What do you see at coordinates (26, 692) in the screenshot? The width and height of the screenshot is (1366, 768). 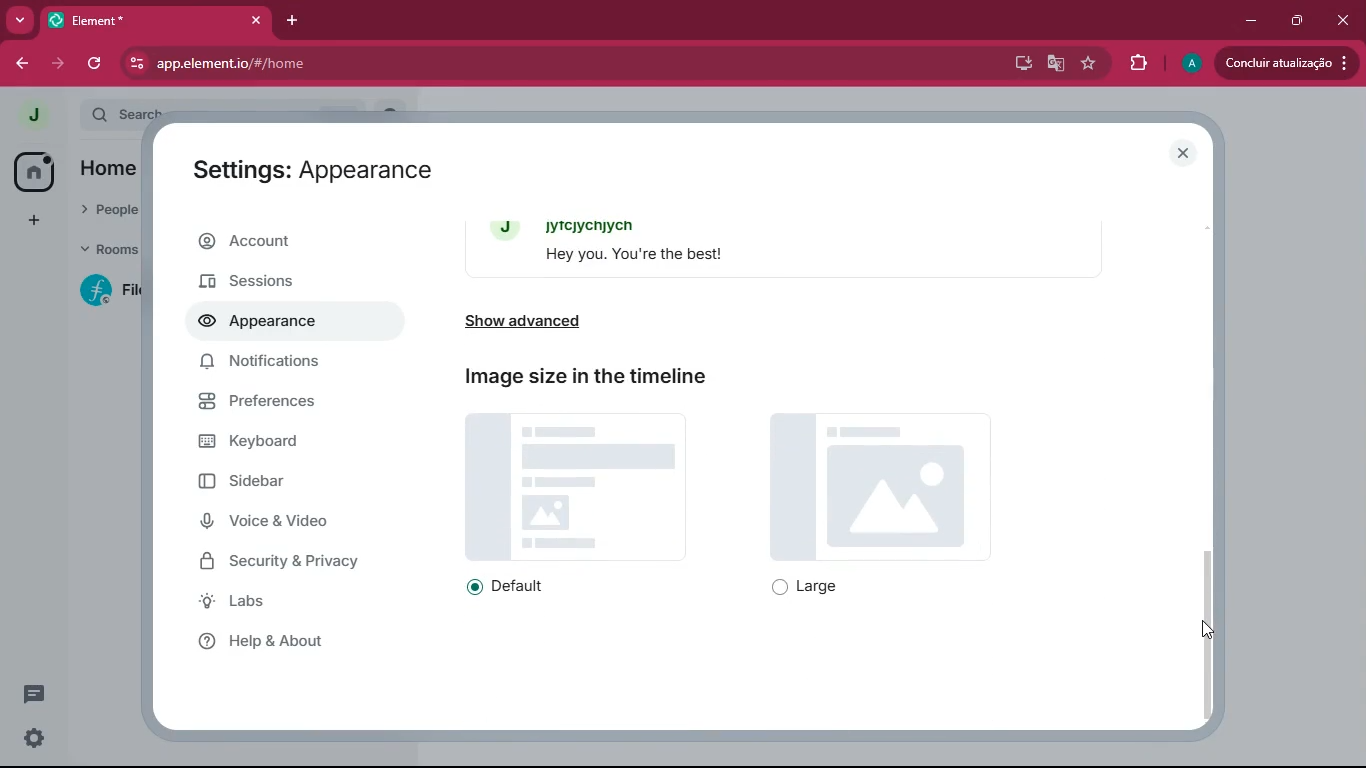 I see `conversations` at bounding box center [26, 692].